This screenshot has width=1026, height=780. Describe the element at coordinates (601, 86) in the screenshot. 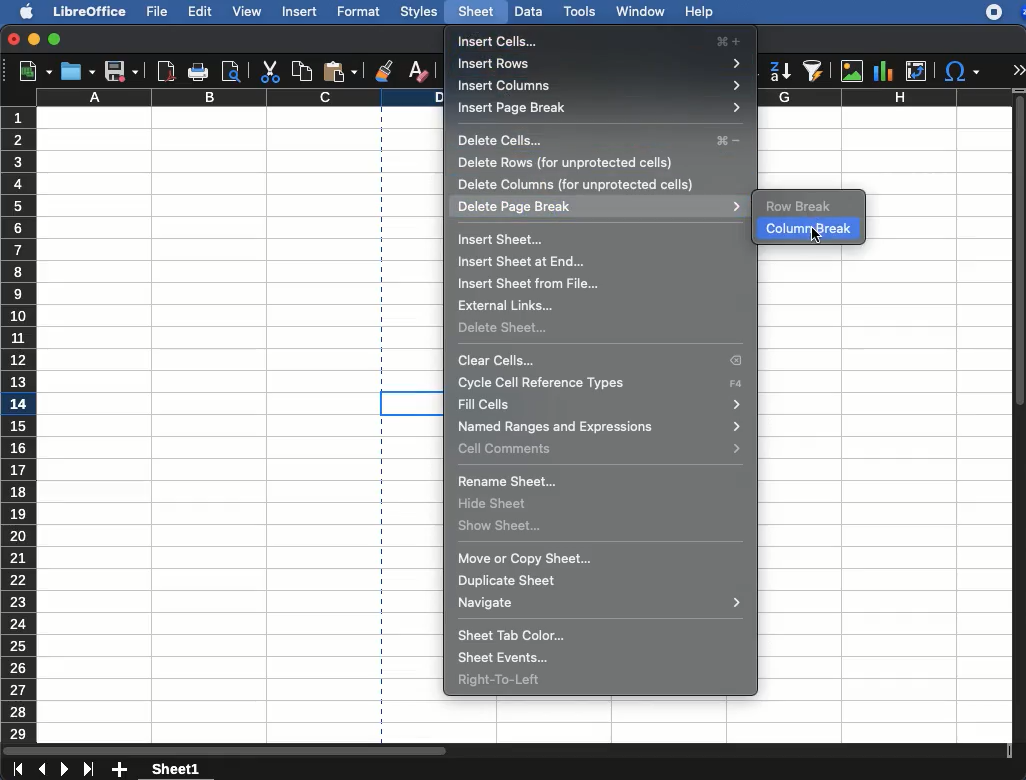

I see `insert columns` at that location.